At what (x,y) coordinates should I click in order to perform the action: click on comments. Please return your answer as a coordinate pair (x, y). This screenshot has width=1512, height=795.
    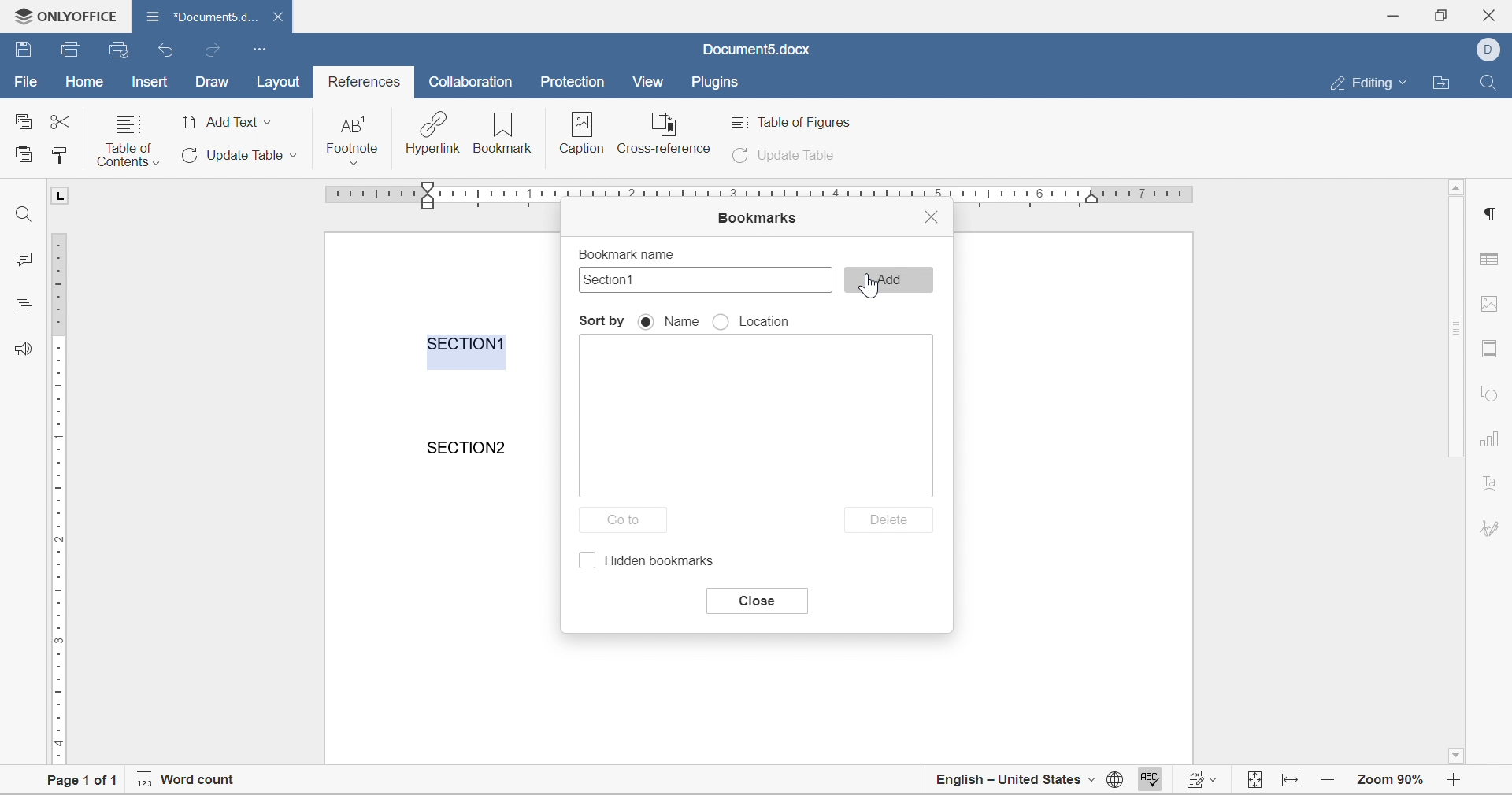
    Looking at the image, I should click on (17, 258).